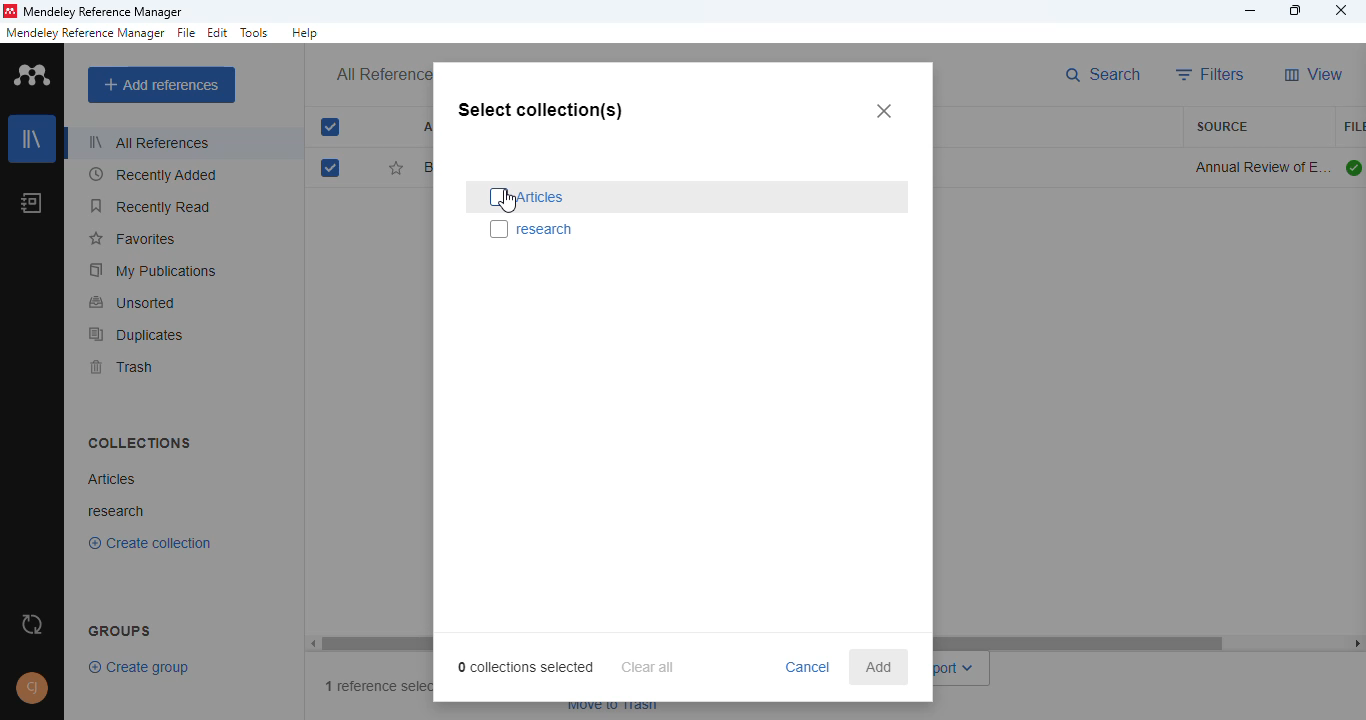 This screenshot has height=720, width=1366. Describe the element at coordinates (1297, 10) in the screenshot. I see `maximize` at that location.